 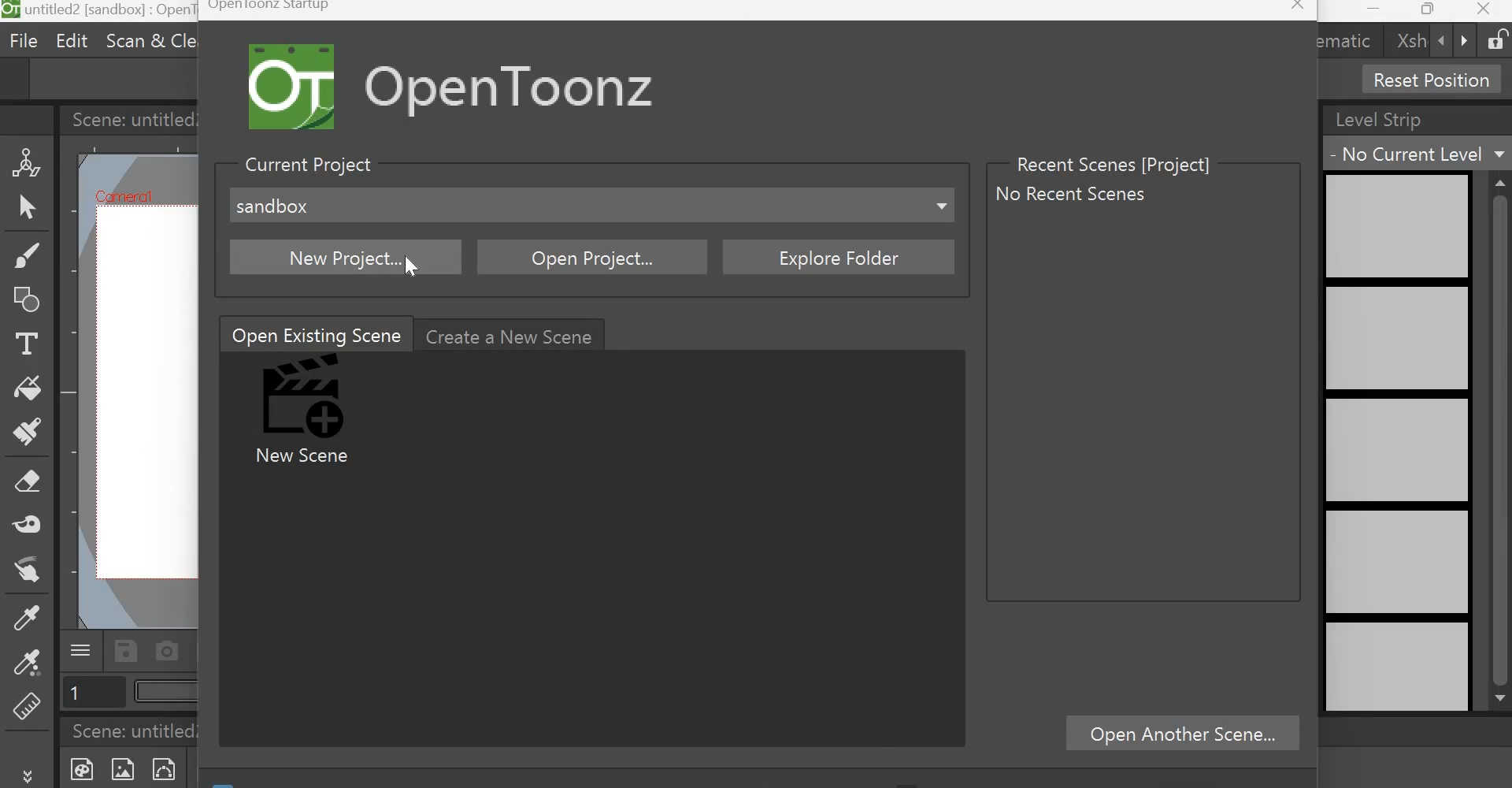 What do you see at coordinates (1072, 195) in the screenshot?
I see `No recent scenes` at bounding box center [1072, 195].